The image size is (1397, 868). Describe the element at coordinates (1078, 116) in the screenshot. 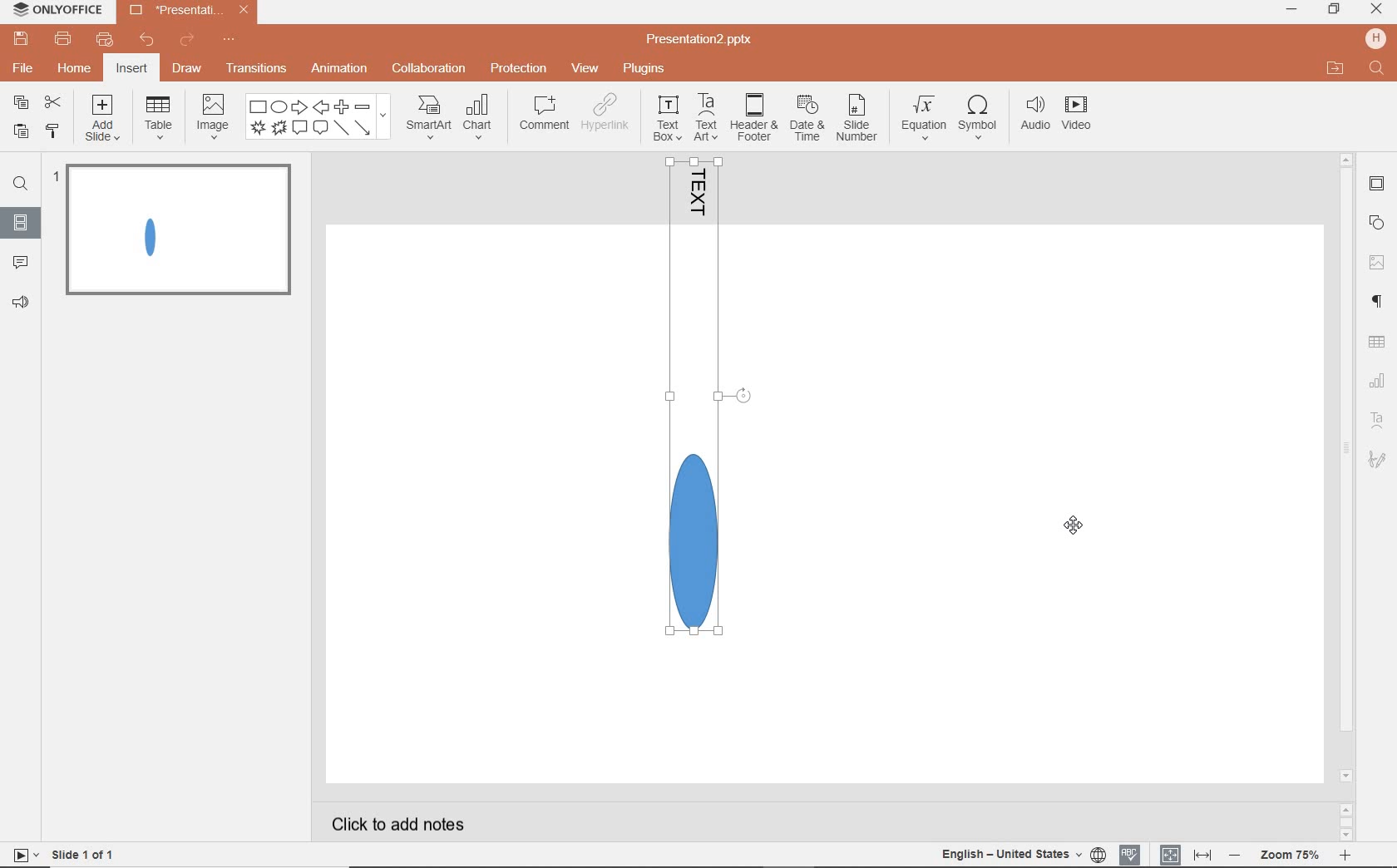

I see `video` at that location.